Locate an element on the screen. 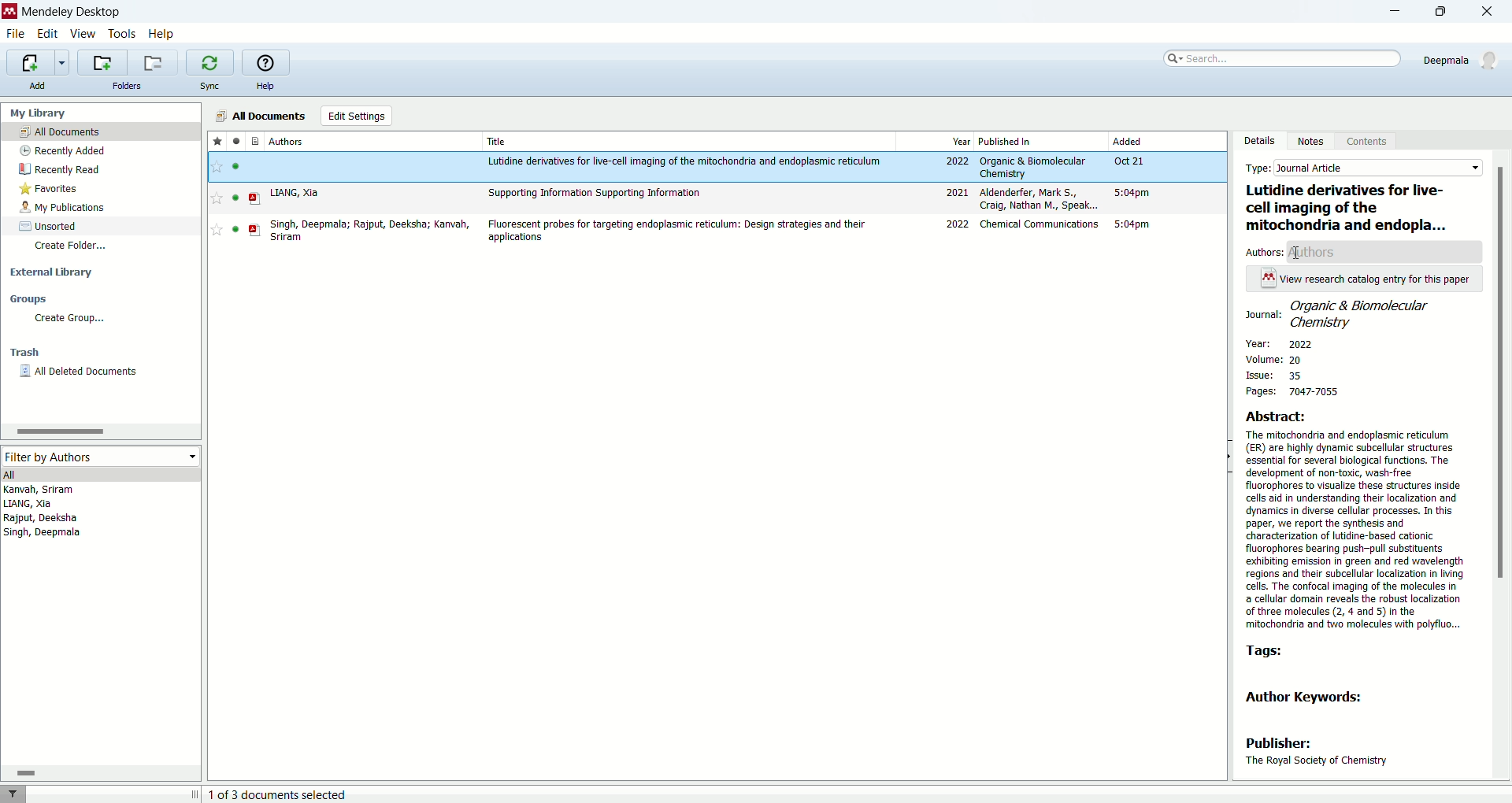 The height and width of the screenshot is (803, 1512). Organic & Biomolecular Chemistry is located at coordinates (1036, 167).